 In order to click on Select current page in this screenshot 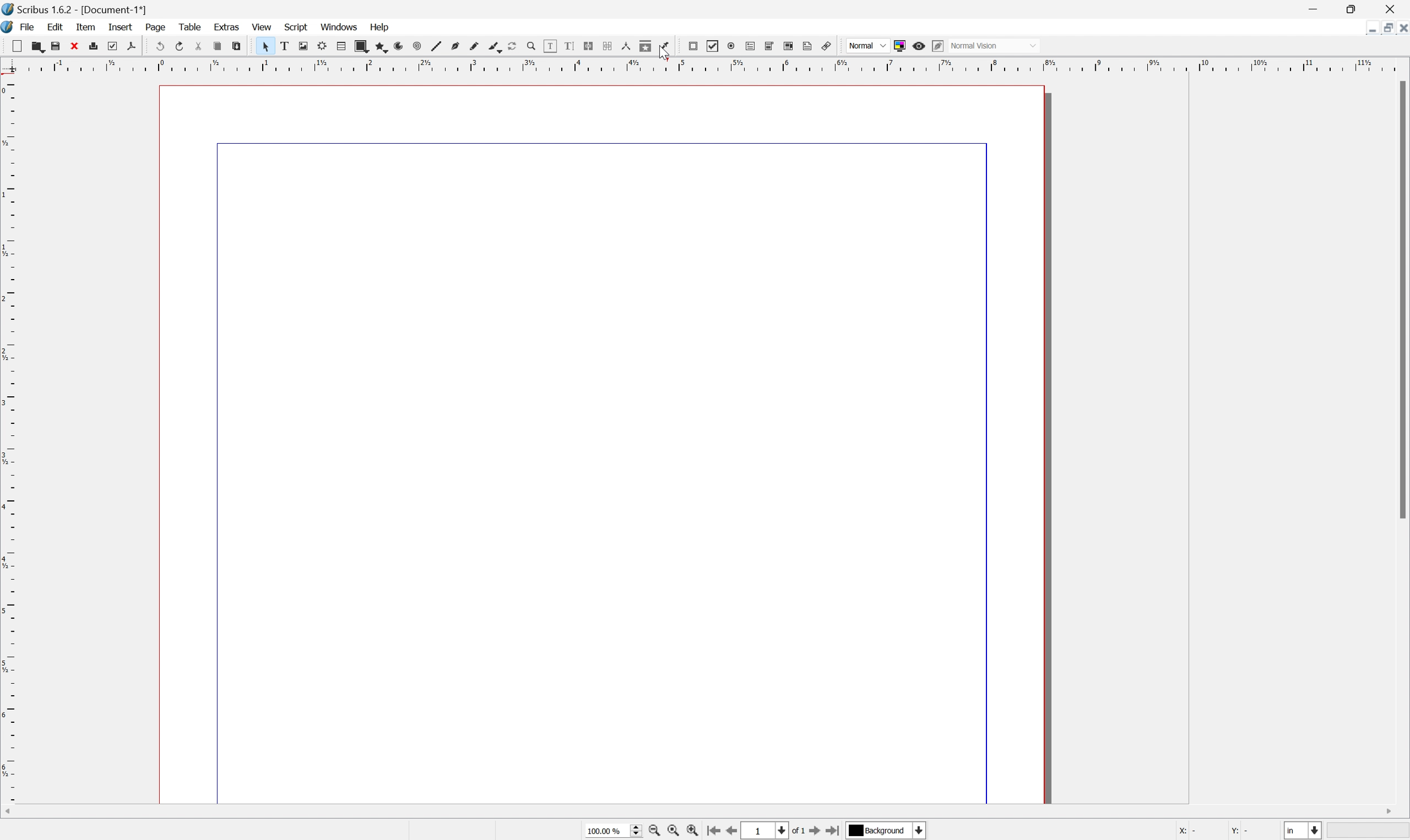, I will do `click(773, 832)`.